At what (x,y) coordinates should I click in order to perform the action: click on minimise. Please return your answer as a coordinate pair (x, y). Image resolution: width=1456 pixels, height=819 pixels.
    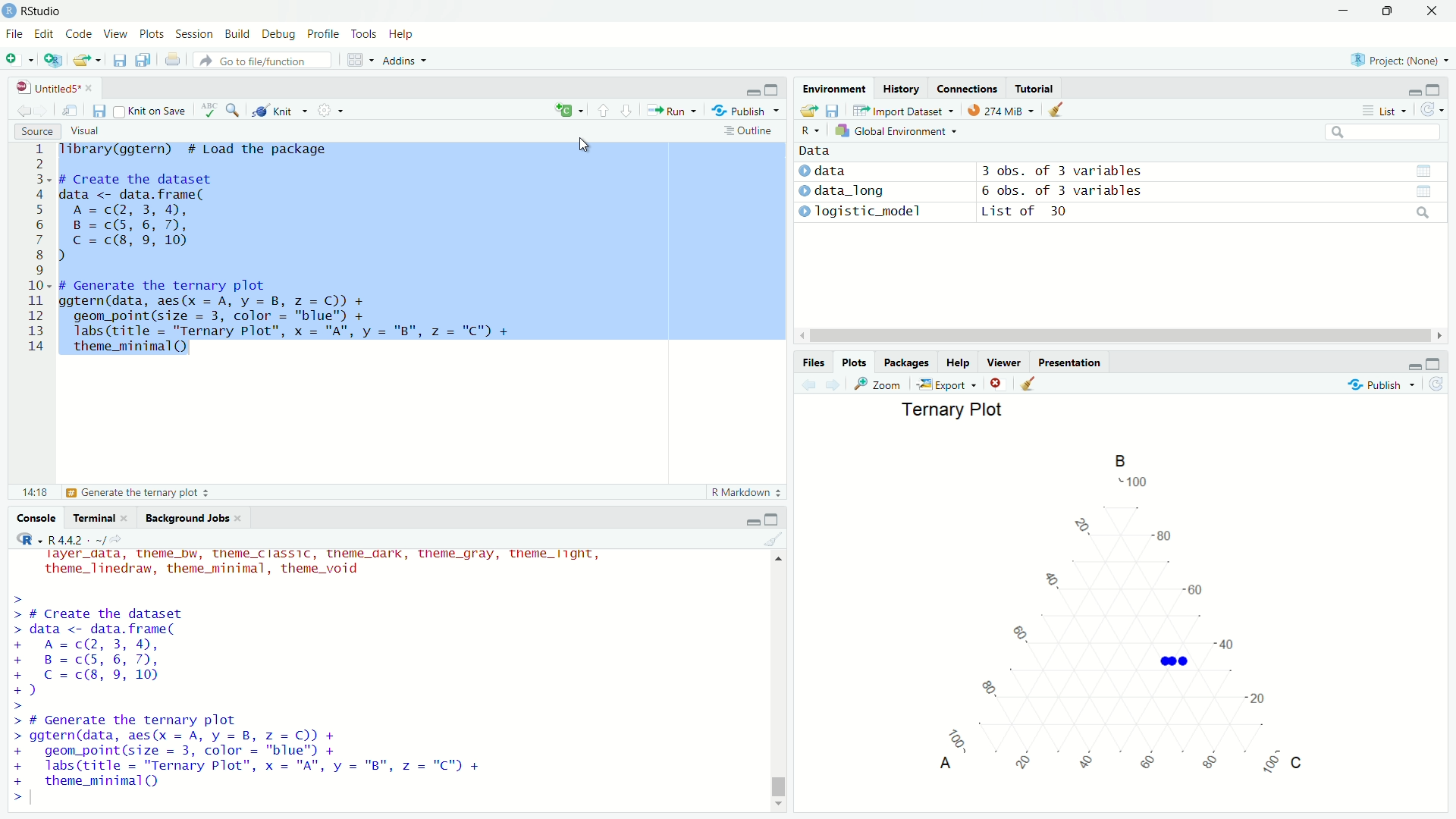
    Looking at the image, I should click on (752, 89).